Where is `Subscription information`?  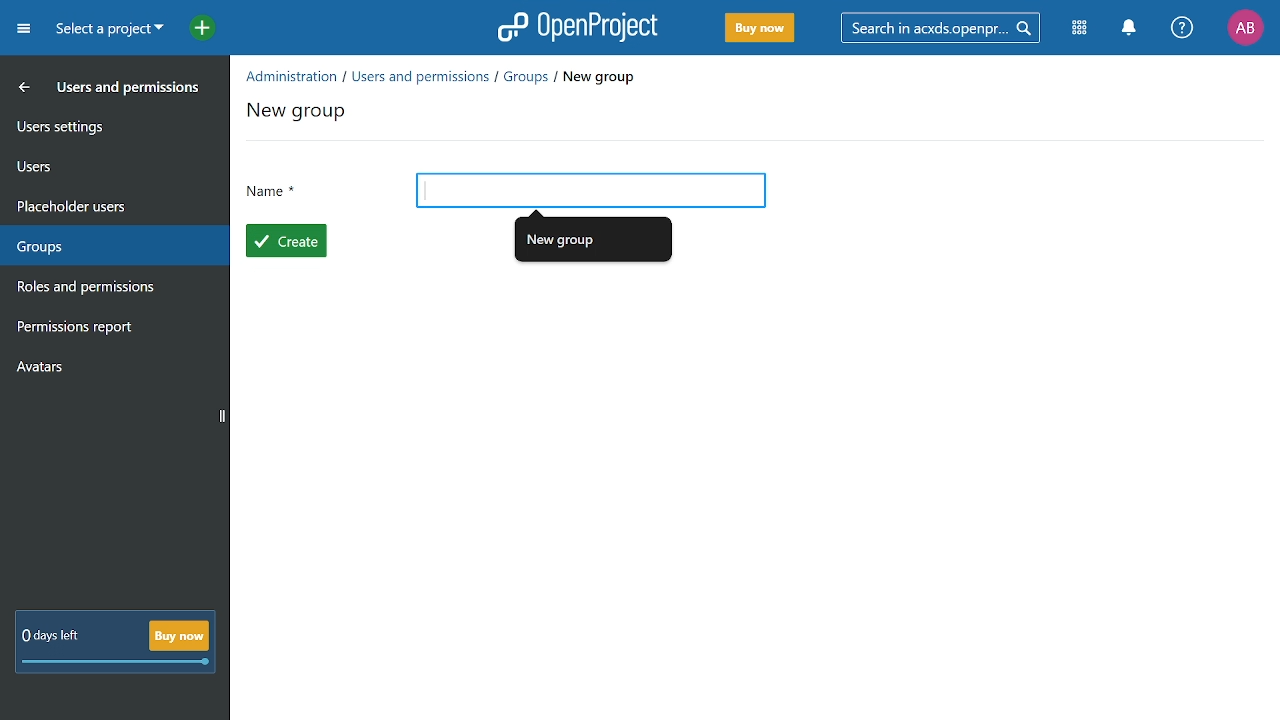
Subscription information is located at coordinates (48, 637).